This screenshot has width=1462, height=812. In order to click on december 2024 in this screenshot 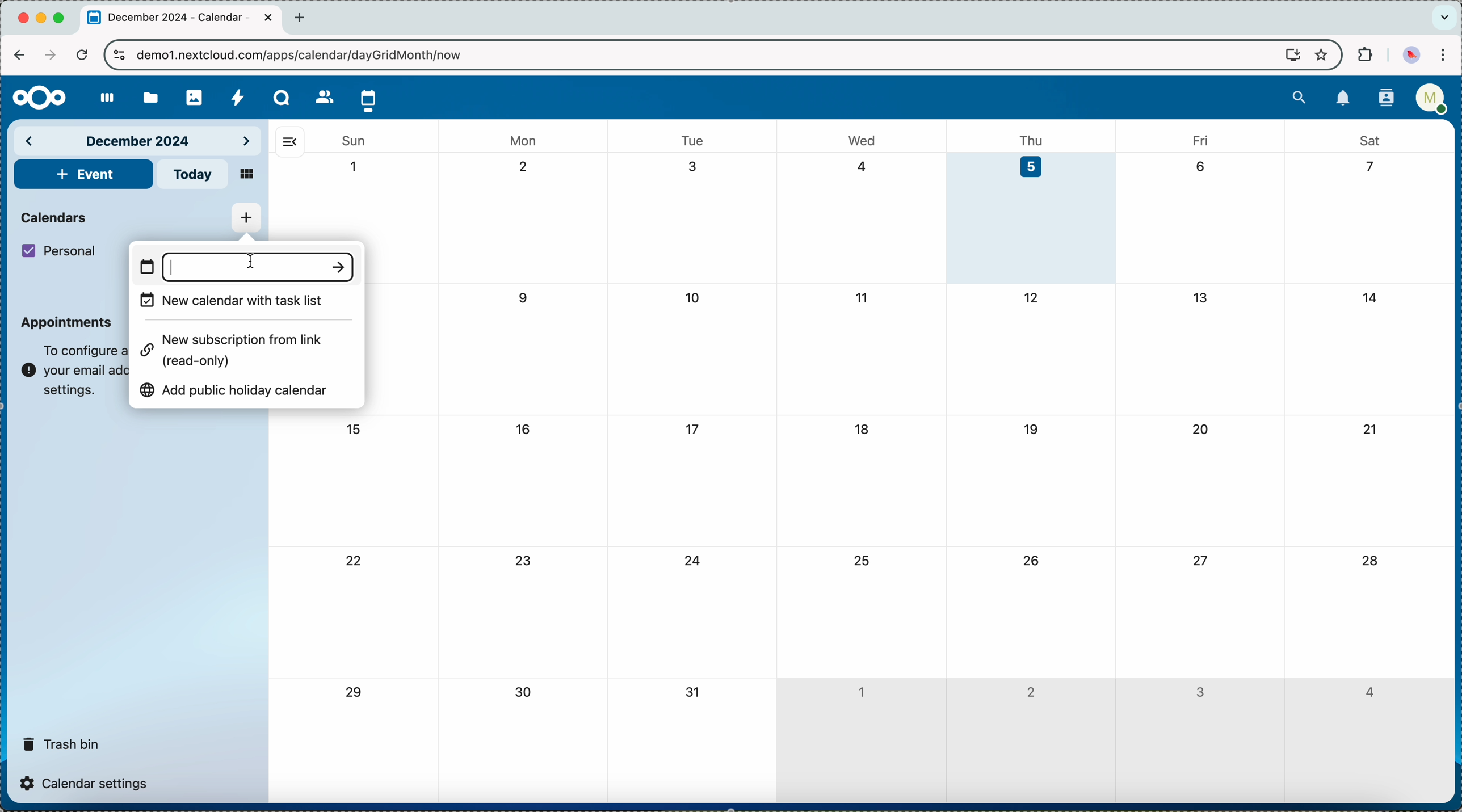, I will do `click(140, 140)`.